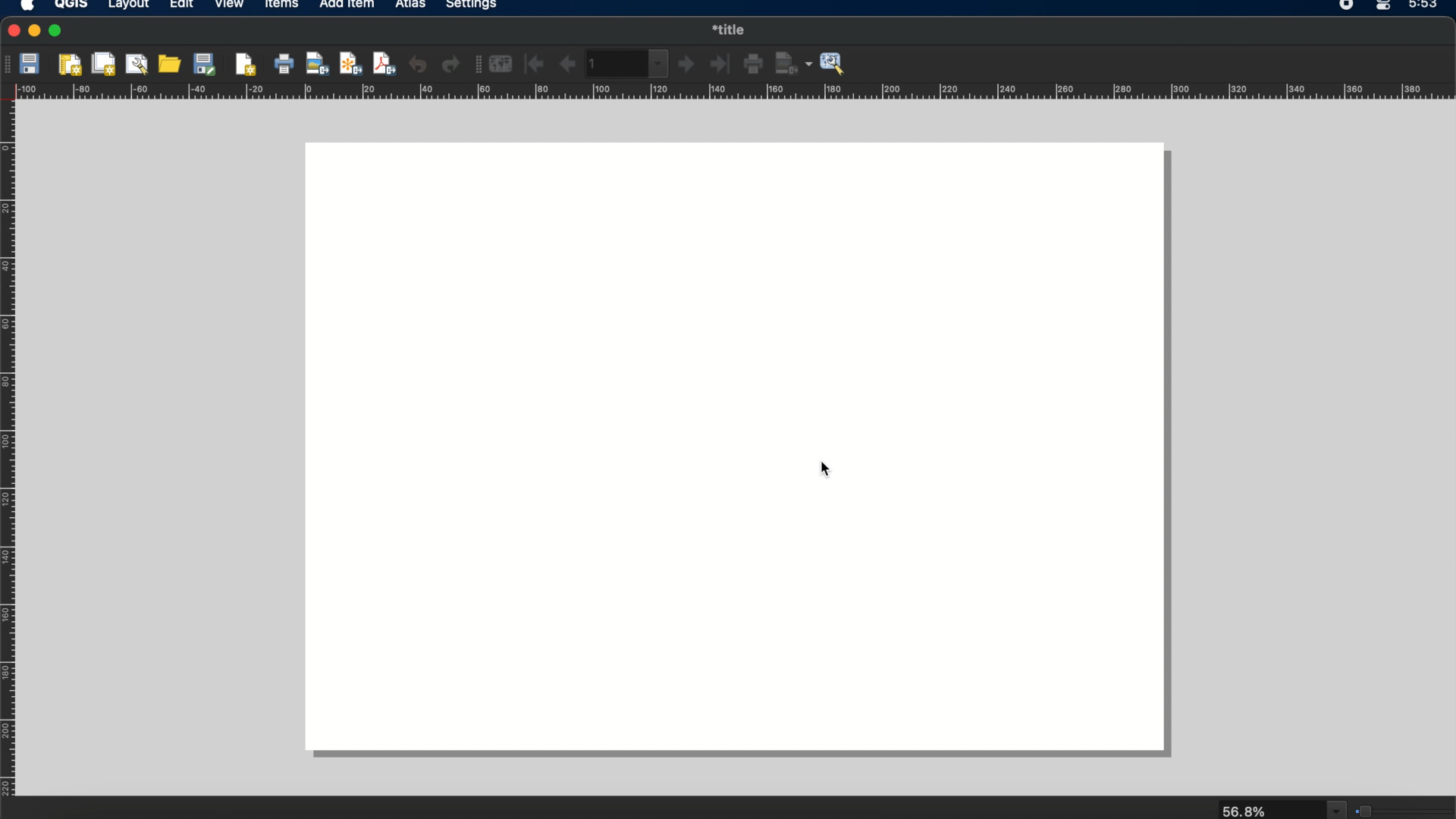 The width and height of the screenshot is (1456, 819). I want to click on add pages, so click(244, 64).